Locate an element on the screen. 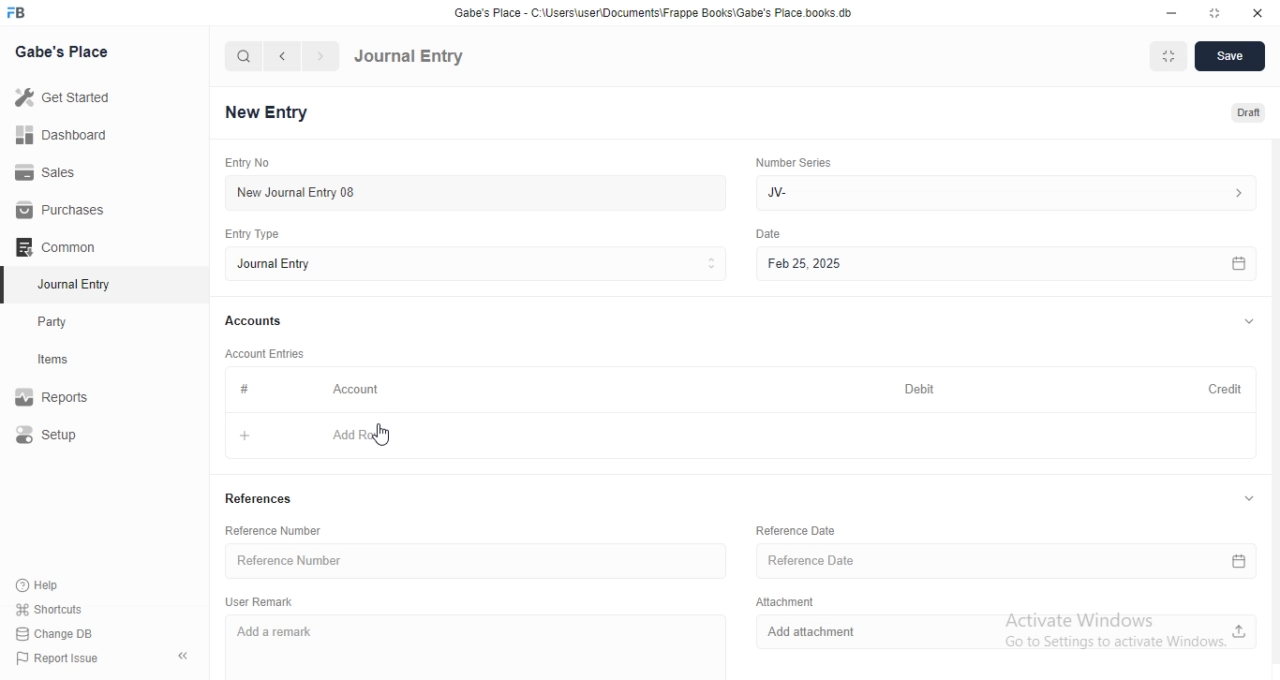 The image size is (1280, 680). Setup is located at coordinates (68, 436).